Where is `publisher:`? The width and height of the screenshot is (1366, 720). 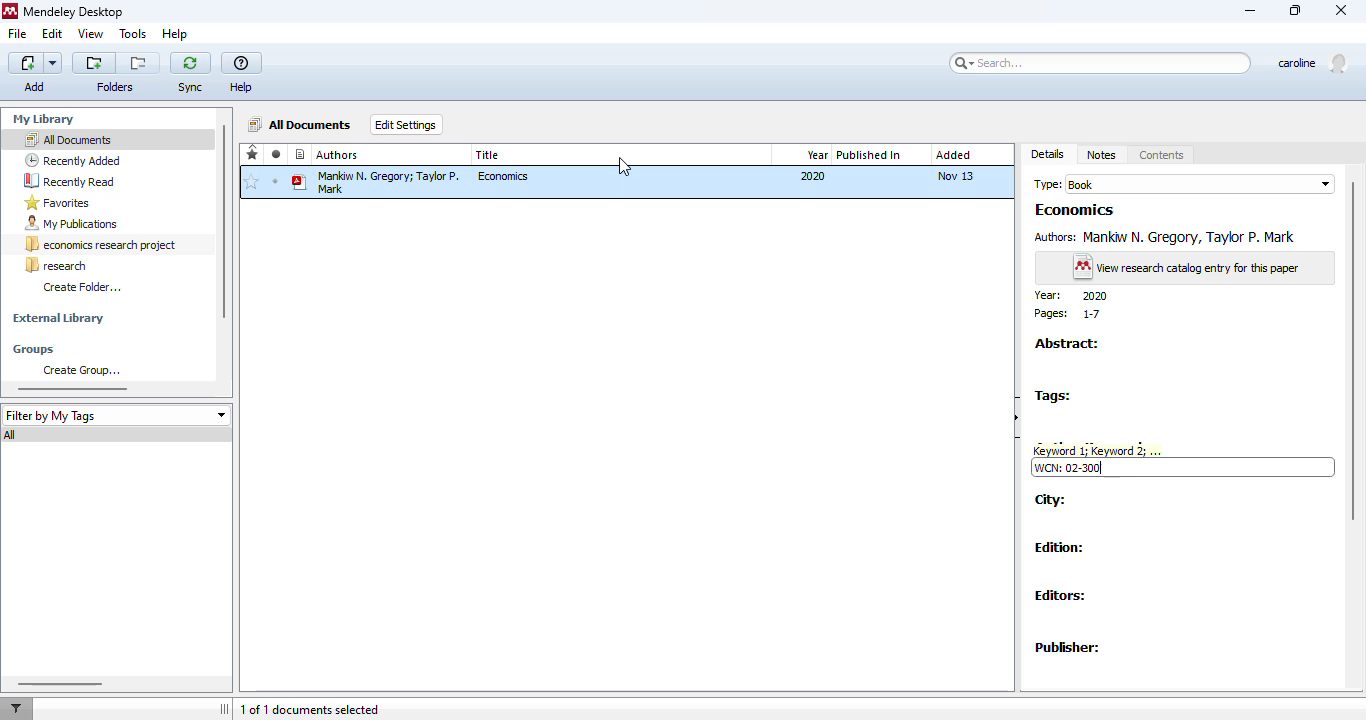 publisher: is located at coordinates (1068, 649).